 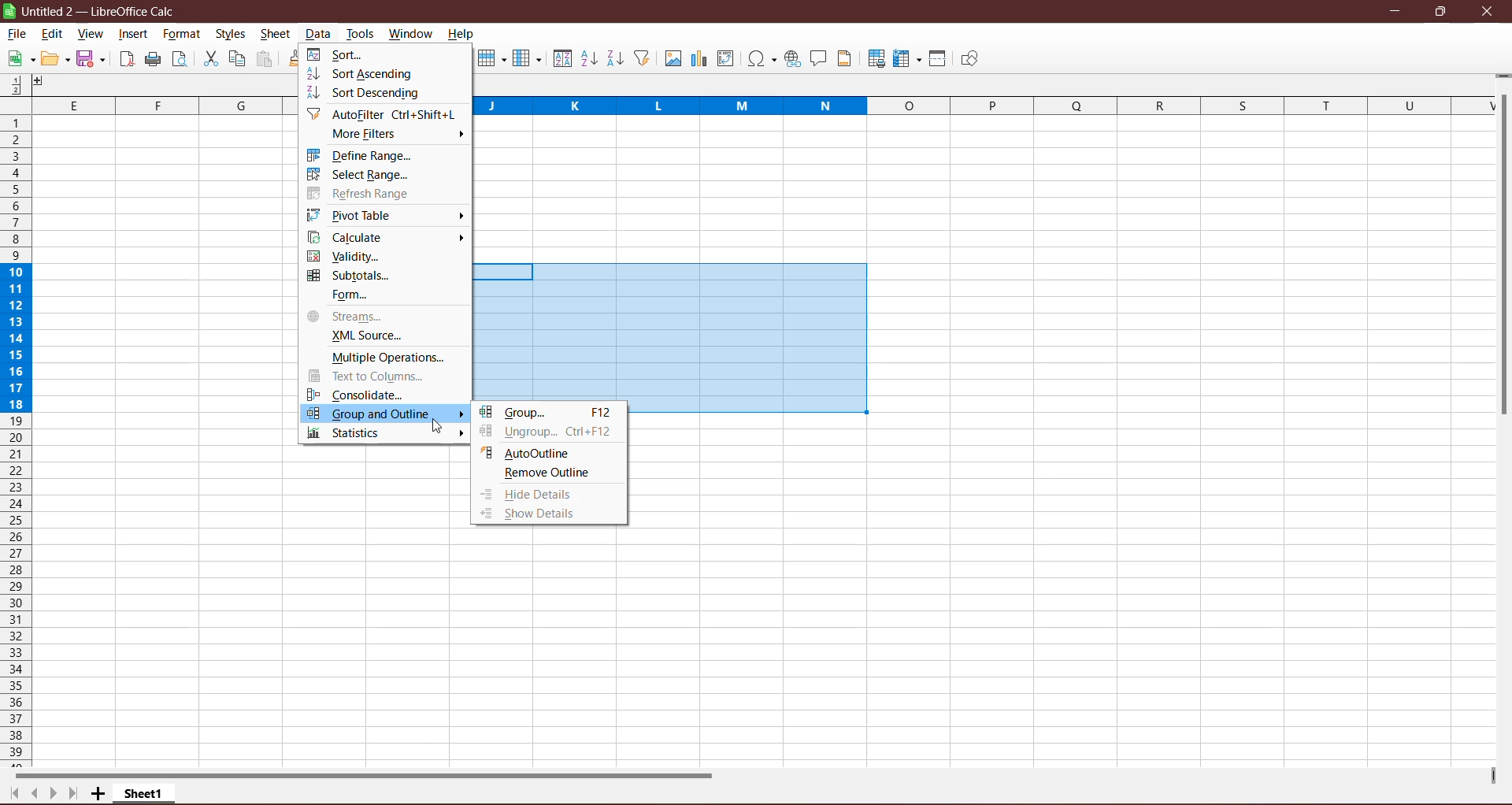 What do you see at coordinates (726, 57) in the screenshot?
I see `Insert or Edit Pivot table` at bounding box center [726, 57].